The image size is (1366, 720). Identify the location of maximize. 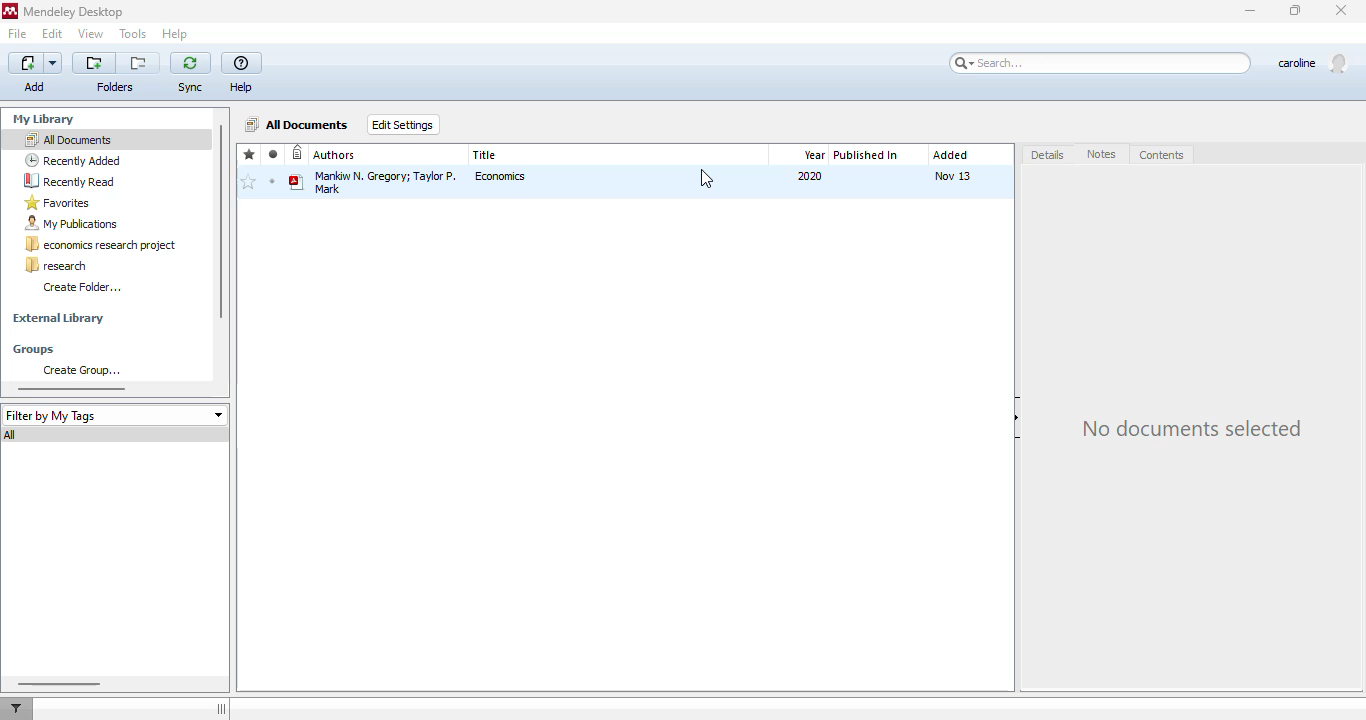
(1296, 10).